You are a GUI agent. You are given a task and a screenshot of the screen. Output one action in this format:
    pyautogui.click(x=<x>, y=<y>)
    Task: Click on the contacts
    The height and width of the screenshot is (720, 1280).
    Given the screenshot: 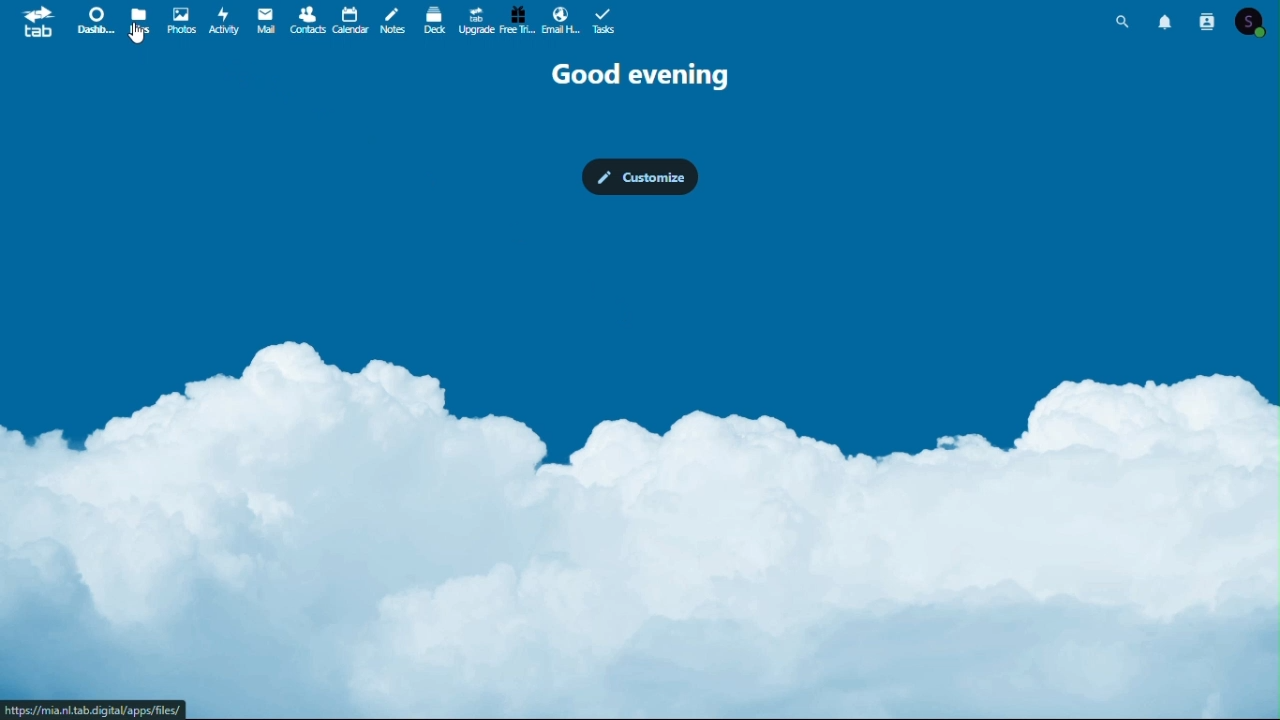 What is the action you would take?
    pyautogui.click(x=1210, y=19)
    